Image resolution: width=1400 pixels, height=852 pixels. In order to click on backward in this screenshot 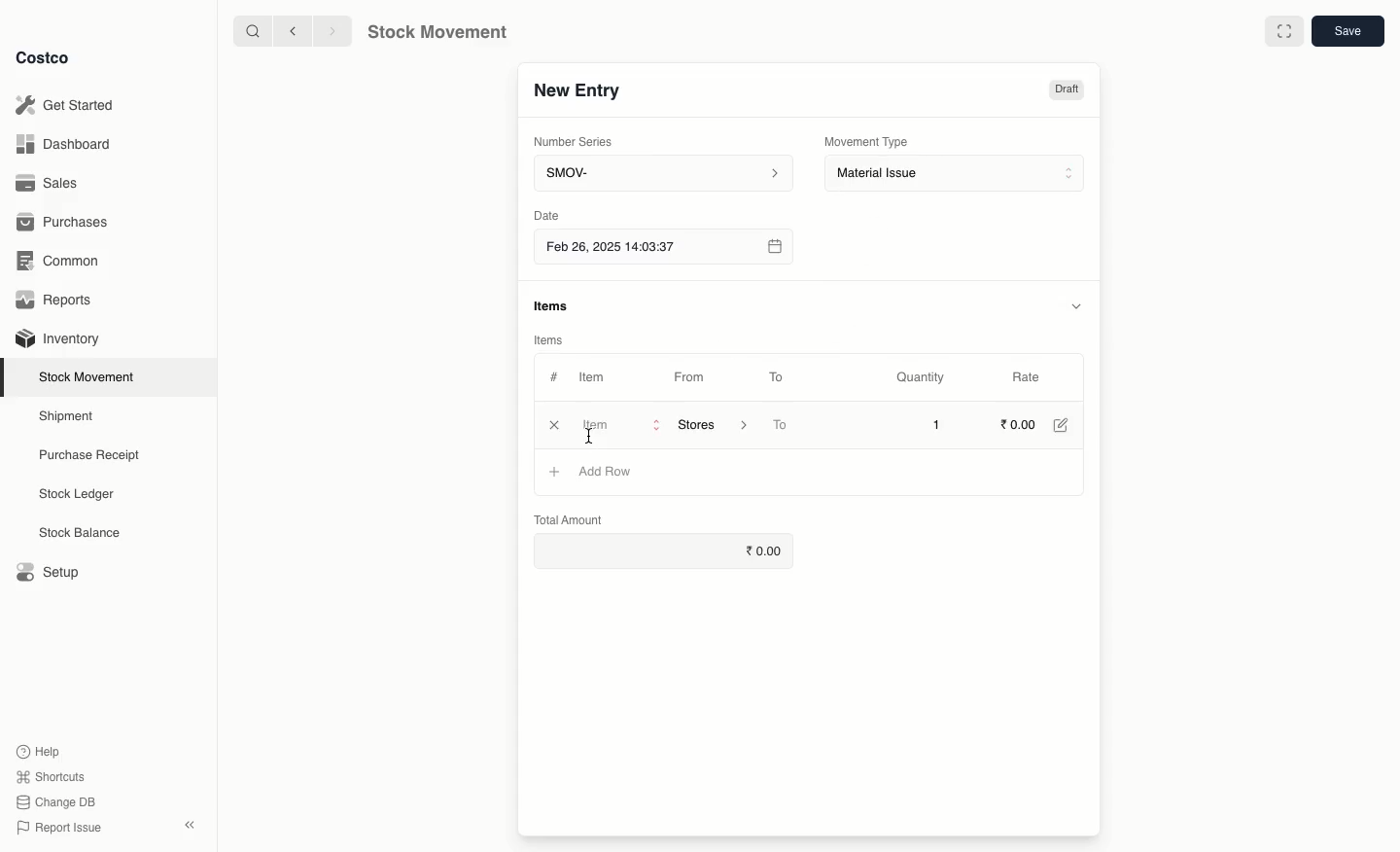, I will do `click(296, 32)`.